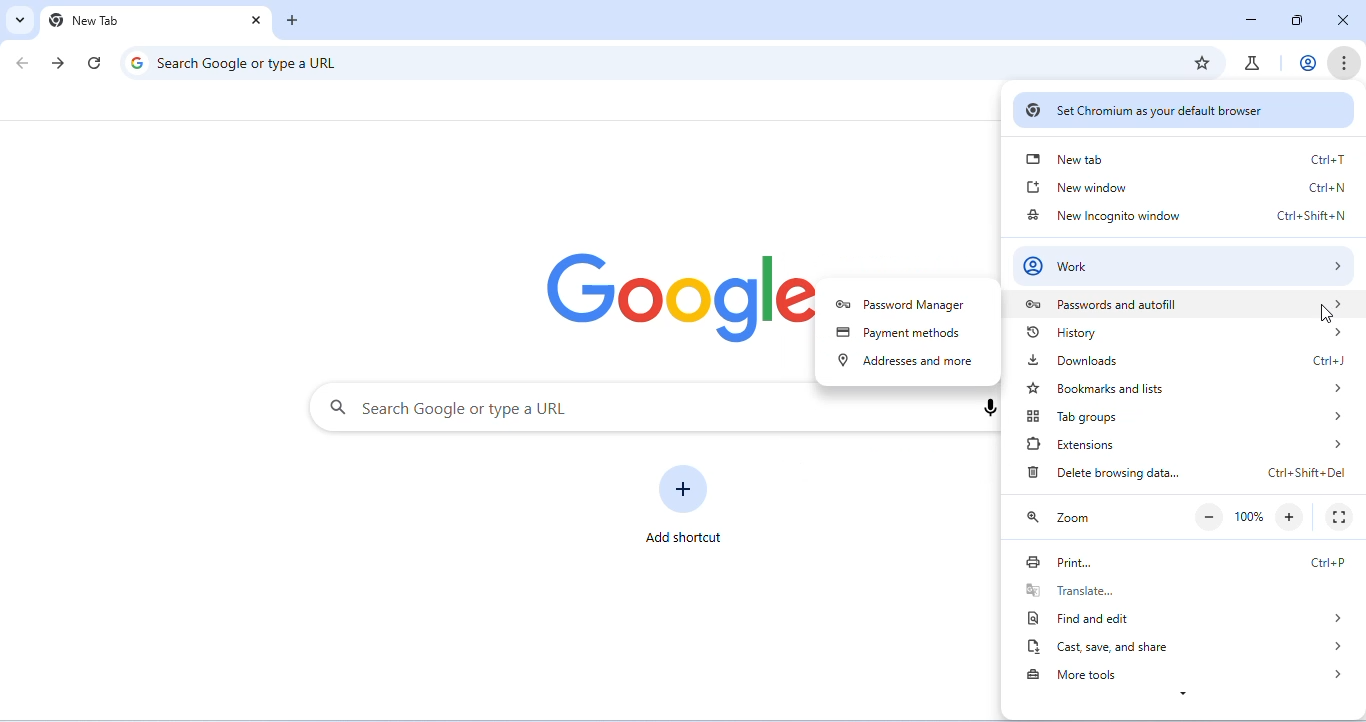 The height and width of the screenshot is (722, 1366). Describe the element at coordinates (1182, 515) in the screenshot. I see `zoom` at that location.